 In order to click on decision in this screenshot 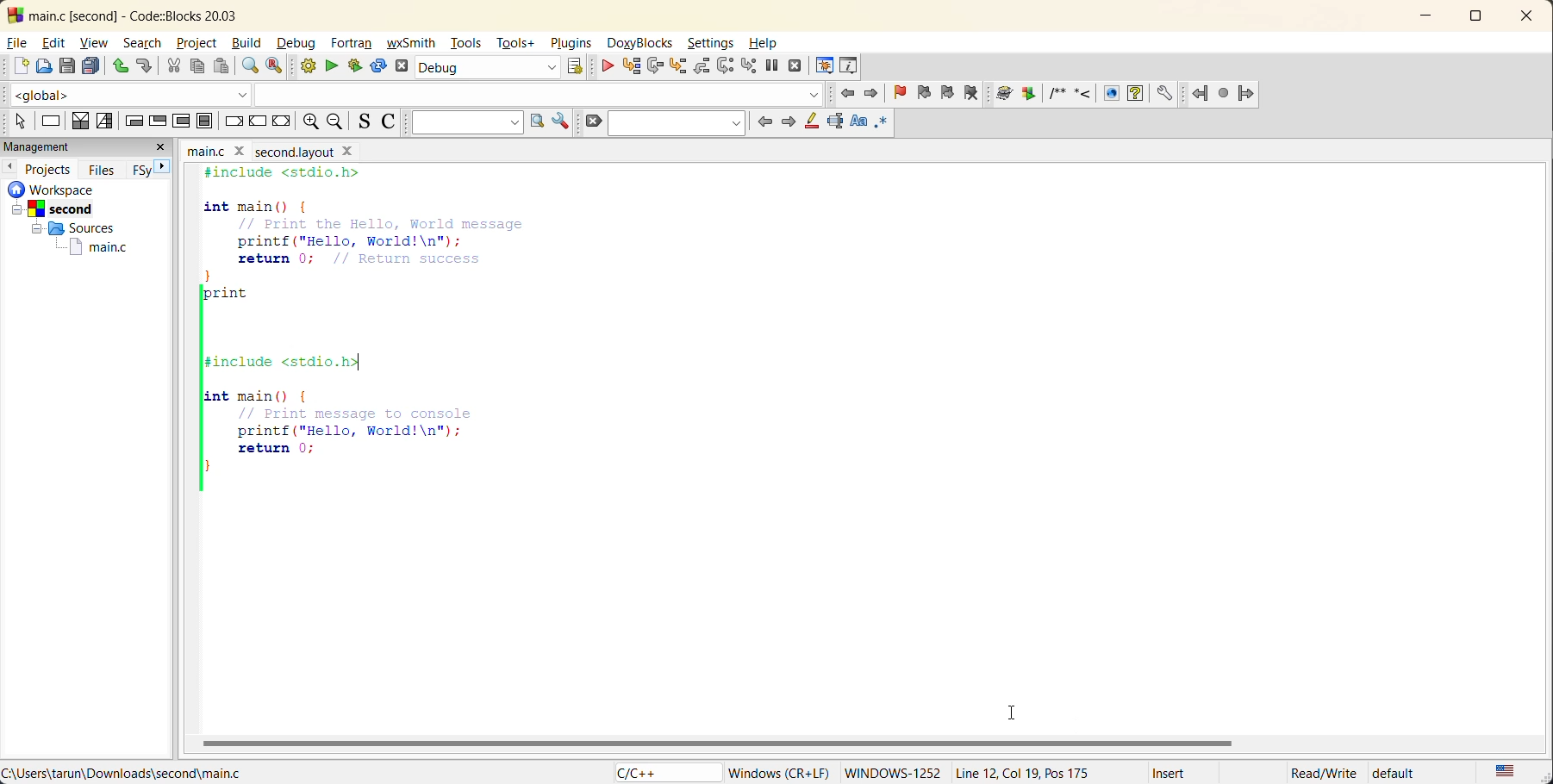, I will do `click(82, 121)`.